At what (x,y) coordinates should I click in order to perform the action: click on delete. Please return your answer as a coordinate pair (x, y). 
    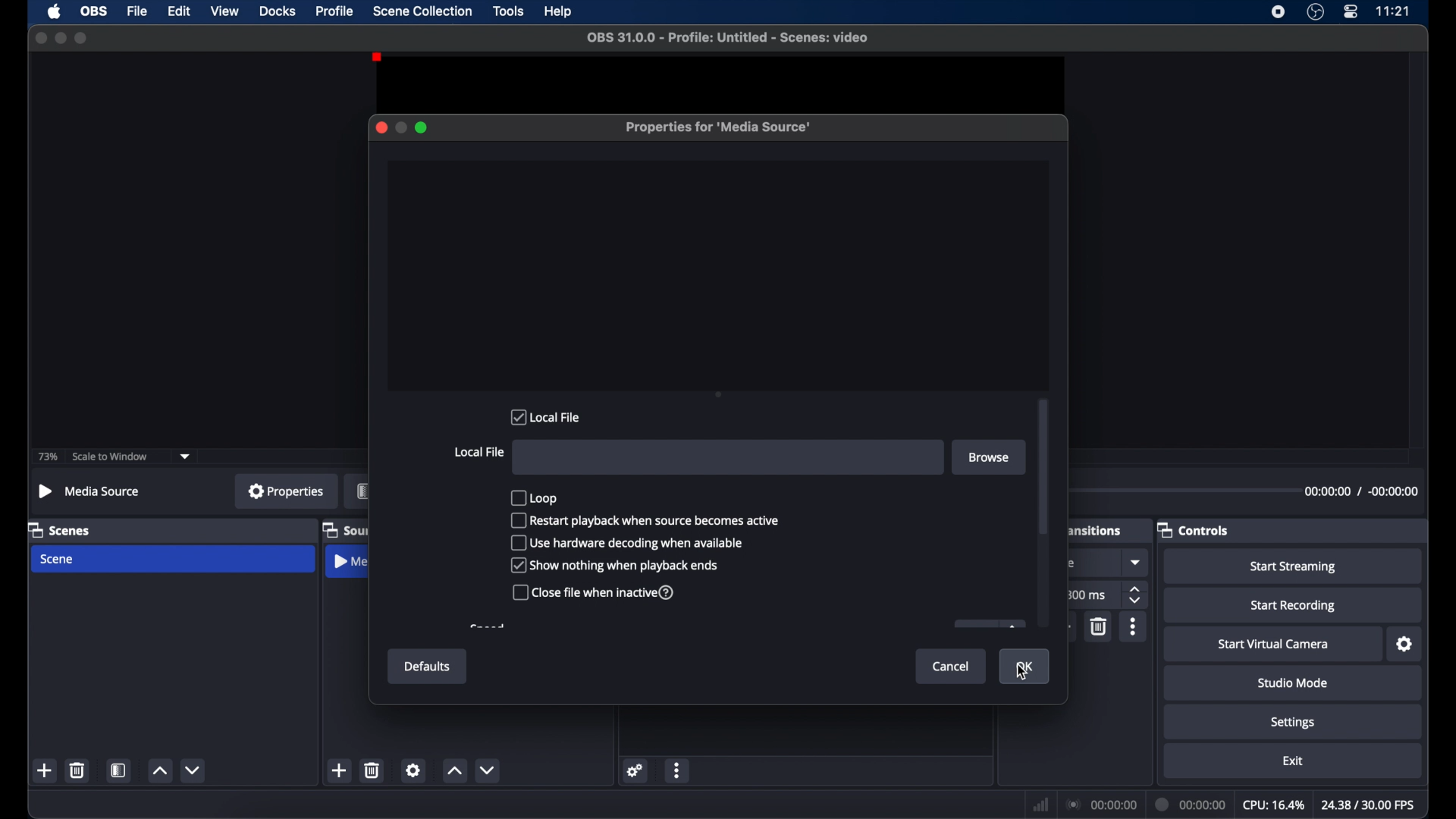
    Looking at the image, I should click on (1100, 626).